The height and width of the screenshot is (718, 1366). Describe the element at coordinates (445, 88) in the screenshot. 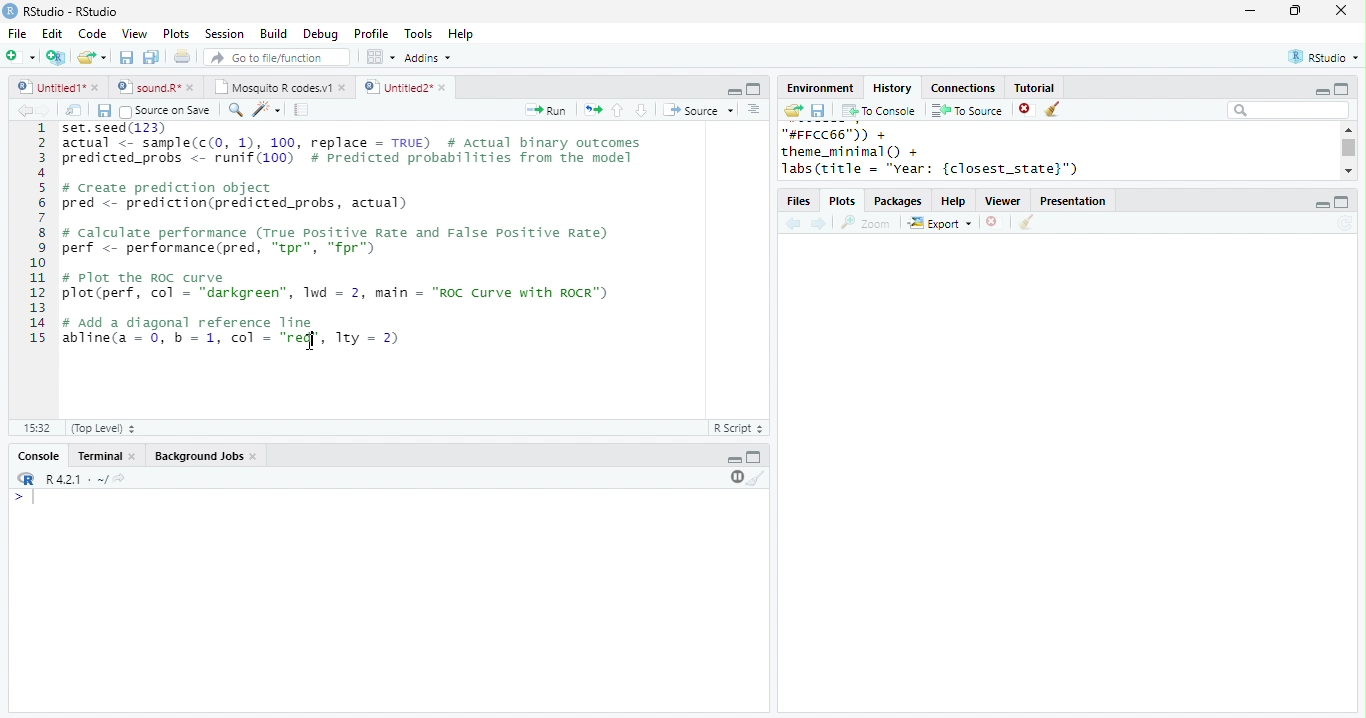

I see `close` at that location.